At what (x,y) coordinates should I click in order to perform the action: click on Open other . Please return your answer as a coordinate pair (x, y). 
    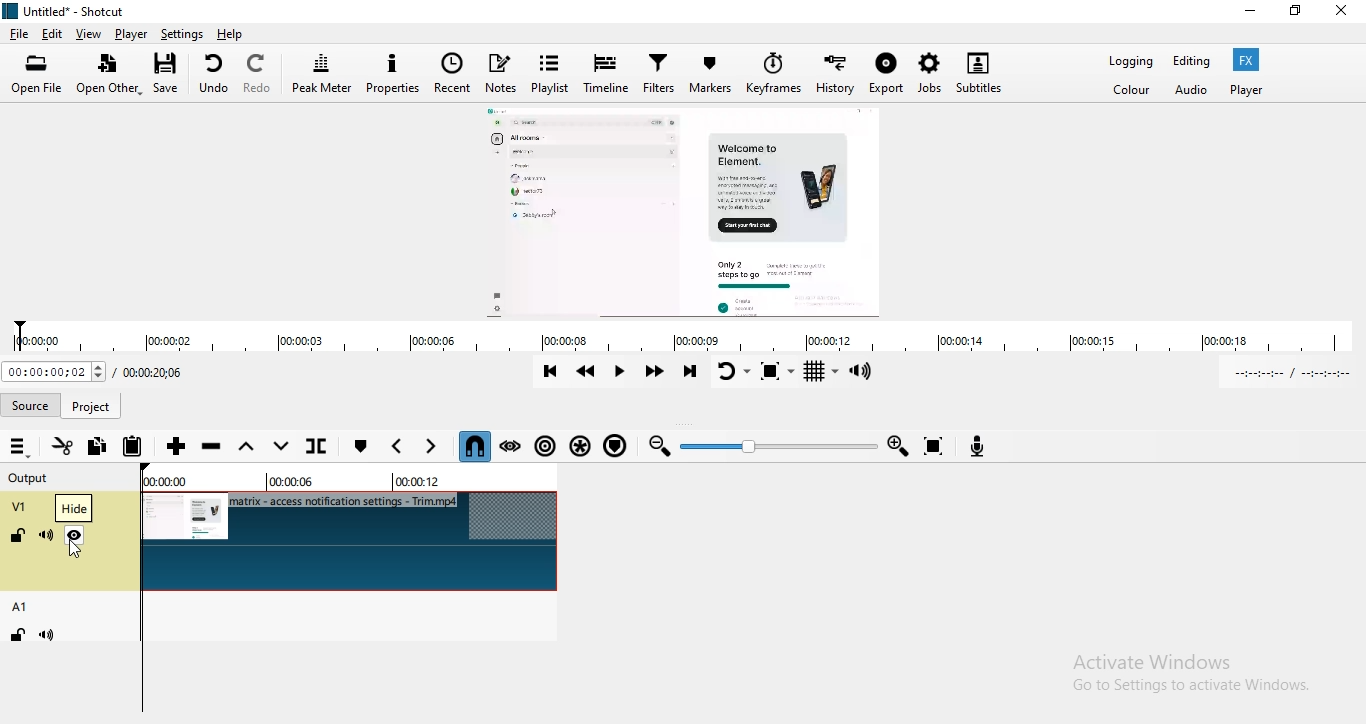
    Looking at the image, I should click on (110, 76).